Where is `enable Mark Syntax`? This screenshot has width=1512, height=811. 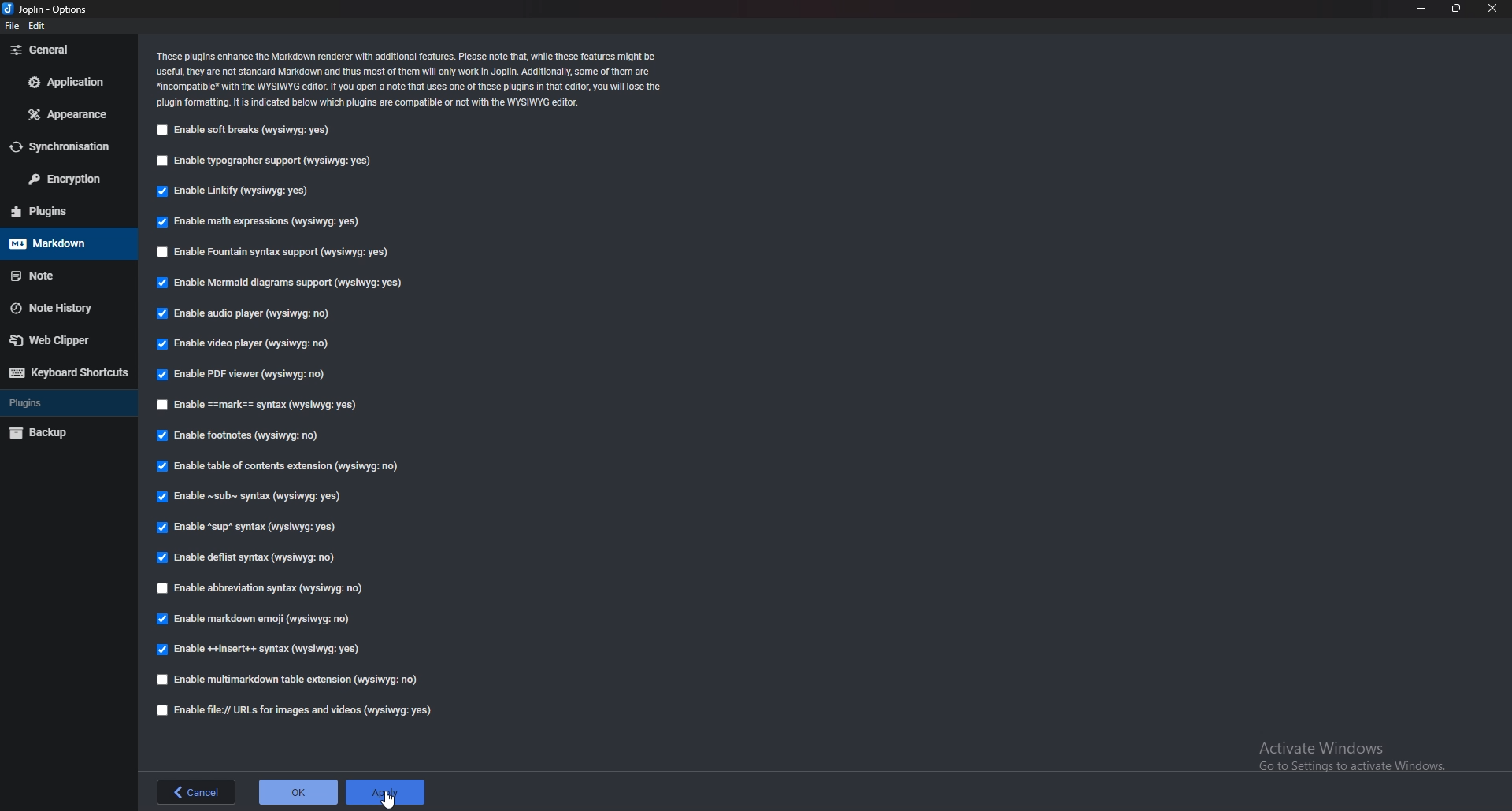
enable Mark Syntax is located at coordinates (272, 406).